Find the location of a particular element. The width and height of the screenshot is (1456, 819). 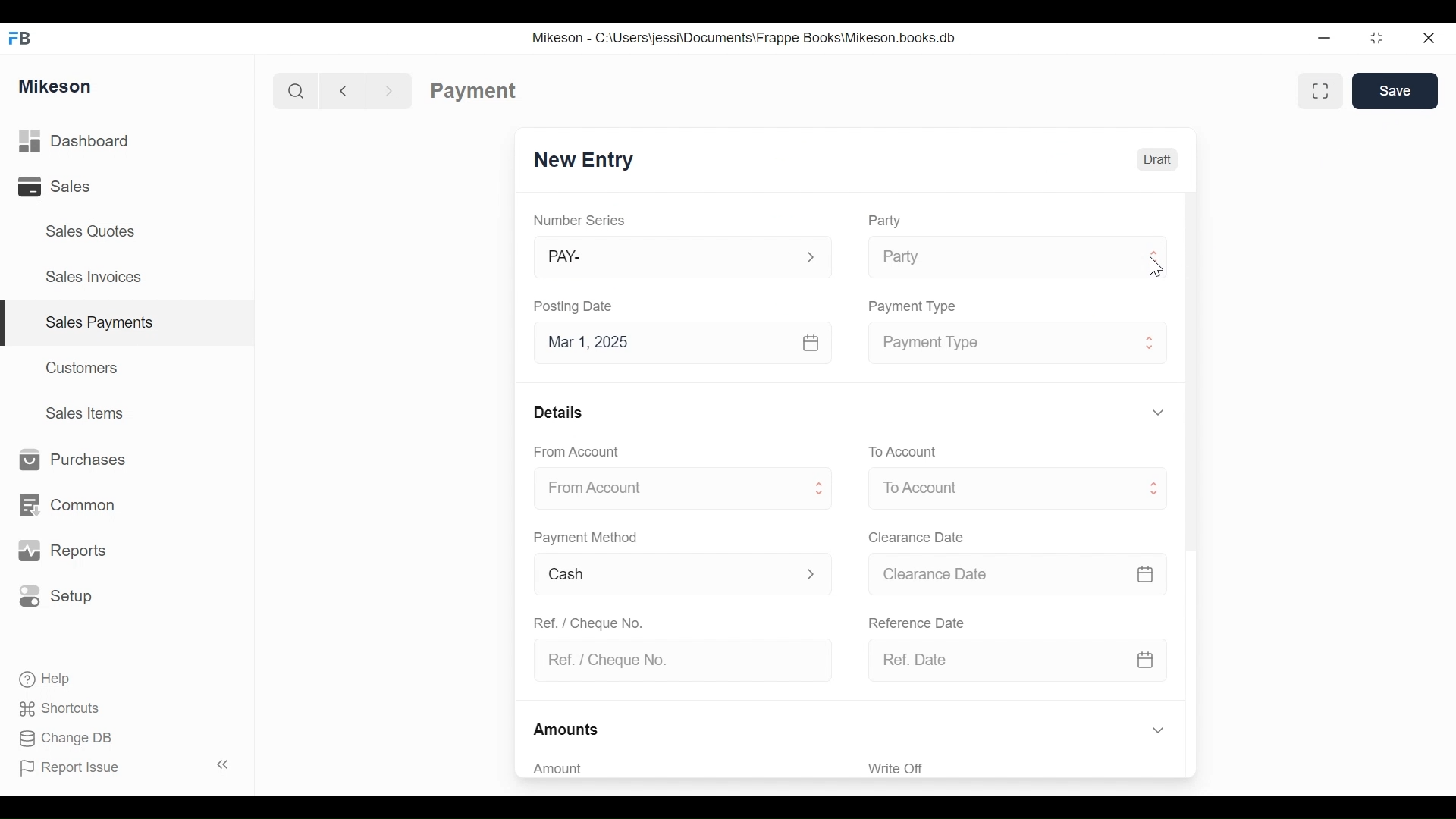

Payment is located at coordinates (472, 89).